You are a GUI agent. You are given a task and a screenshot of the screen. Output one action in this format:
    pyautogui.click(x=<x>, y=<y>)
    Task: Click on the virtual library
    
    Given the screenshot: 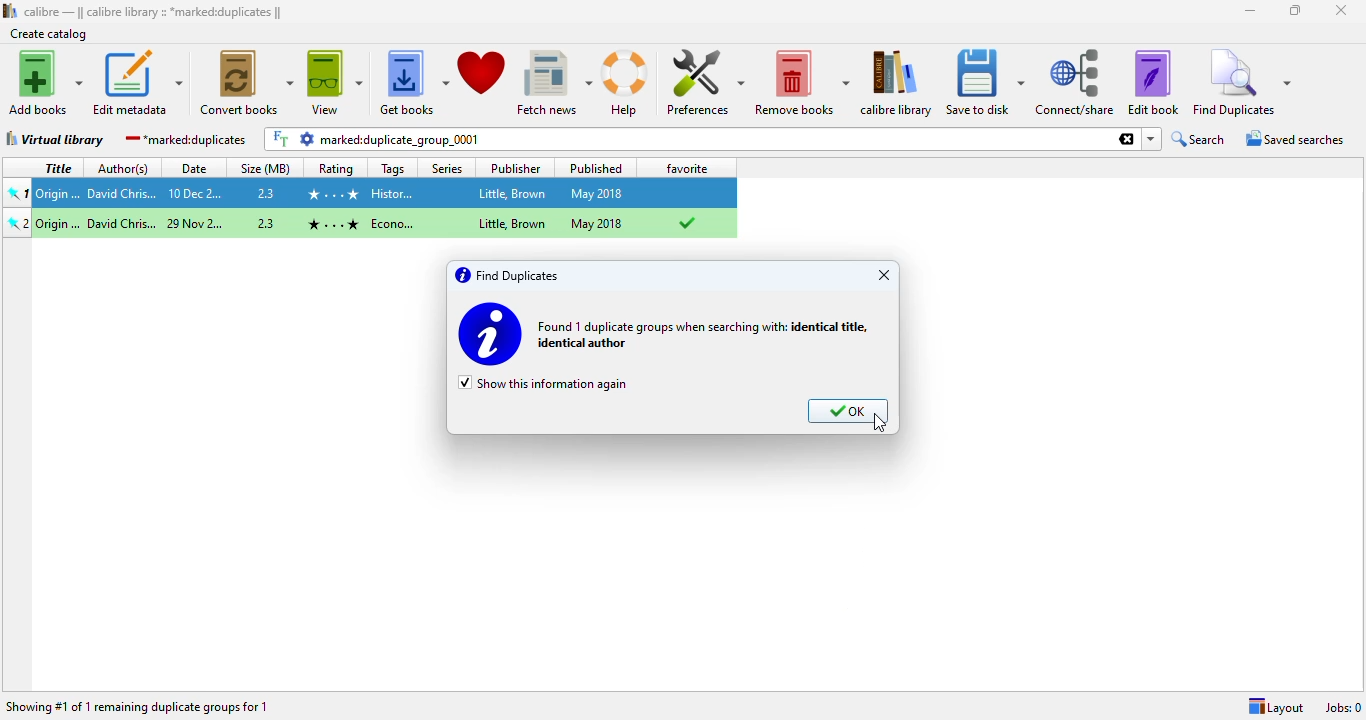 What is the action you would take?
    pyautogui.click(x=49, y=138)
    